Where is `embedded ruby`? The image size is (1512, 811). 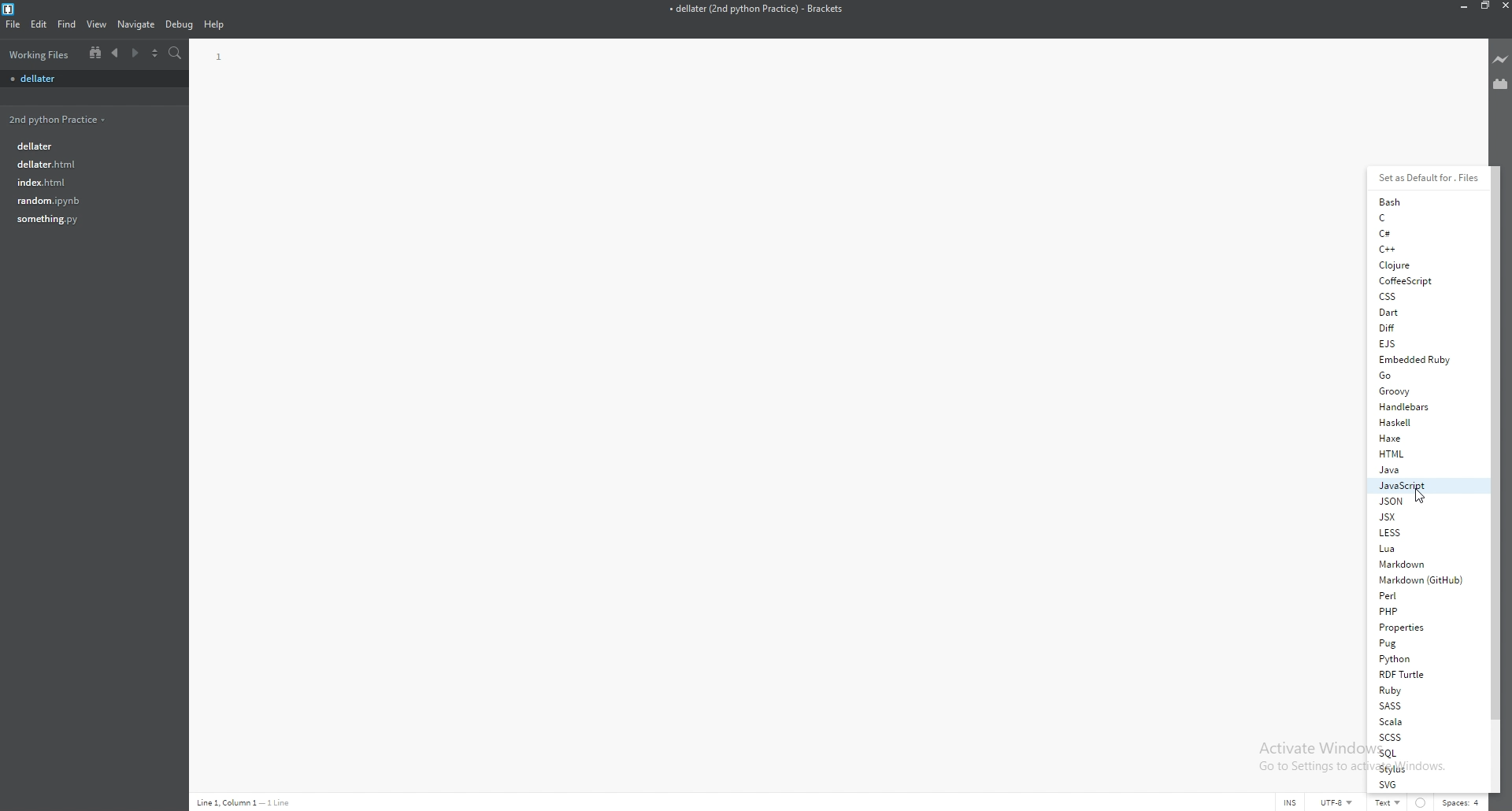 embedded ruby is located at coordinates (1422, 359).